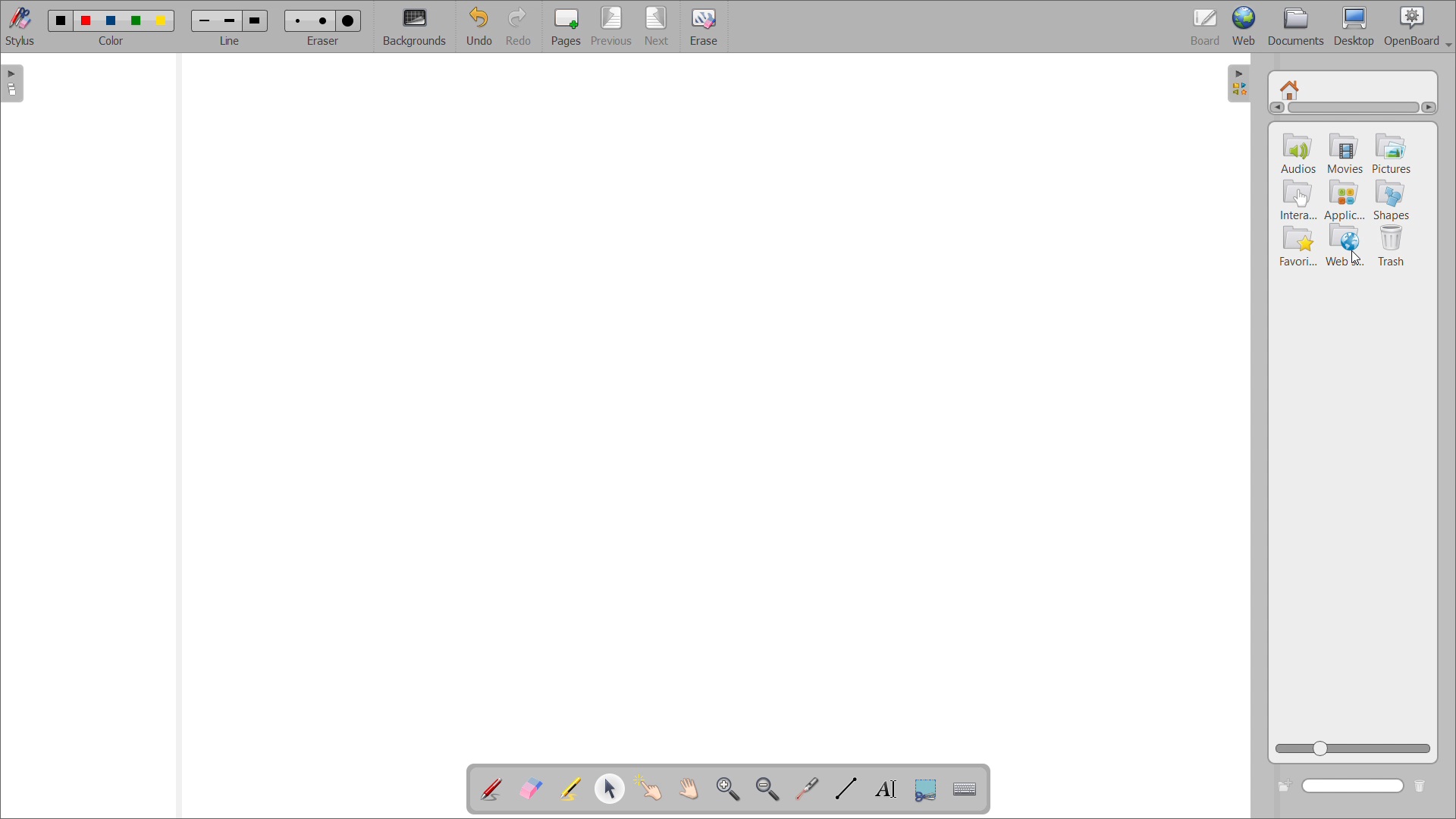  What do you see at coordinates (138, 20) in the screenshot?
I see `Color 4` at bounding box center [138, 20].